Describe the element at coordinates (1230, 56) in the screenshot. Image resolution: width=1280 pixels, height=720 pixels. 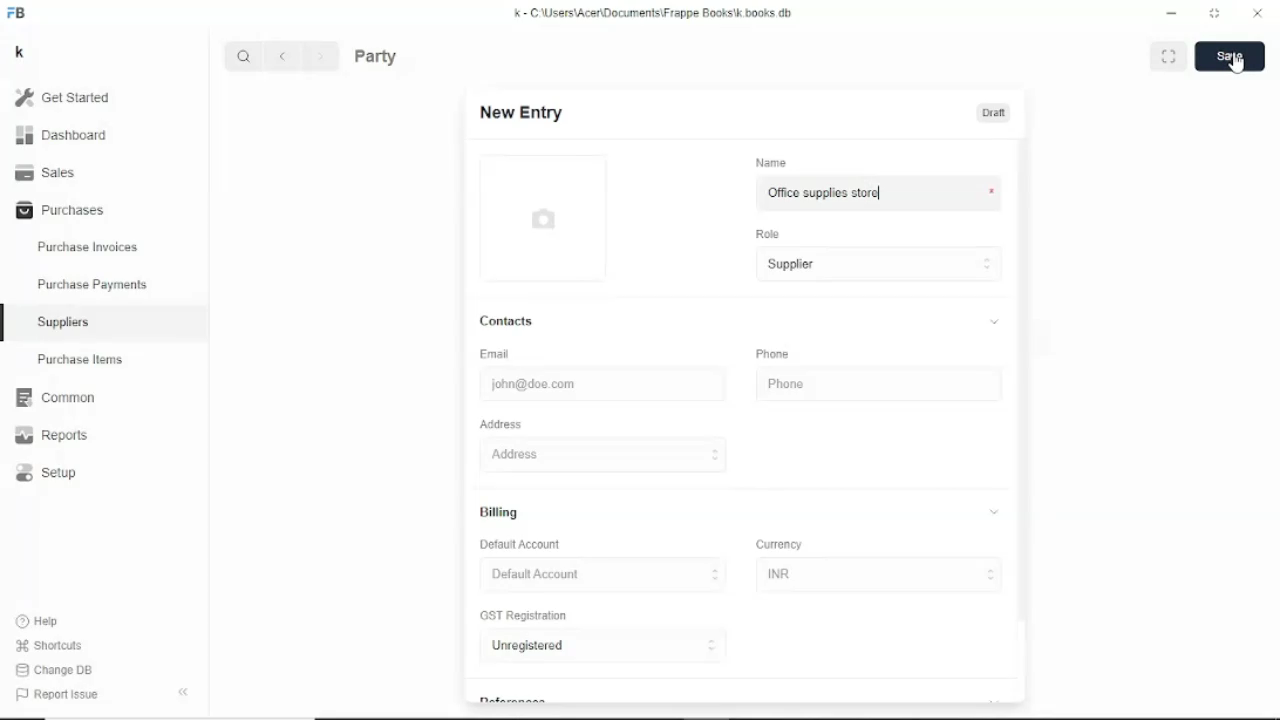
I see `Save` at that location.